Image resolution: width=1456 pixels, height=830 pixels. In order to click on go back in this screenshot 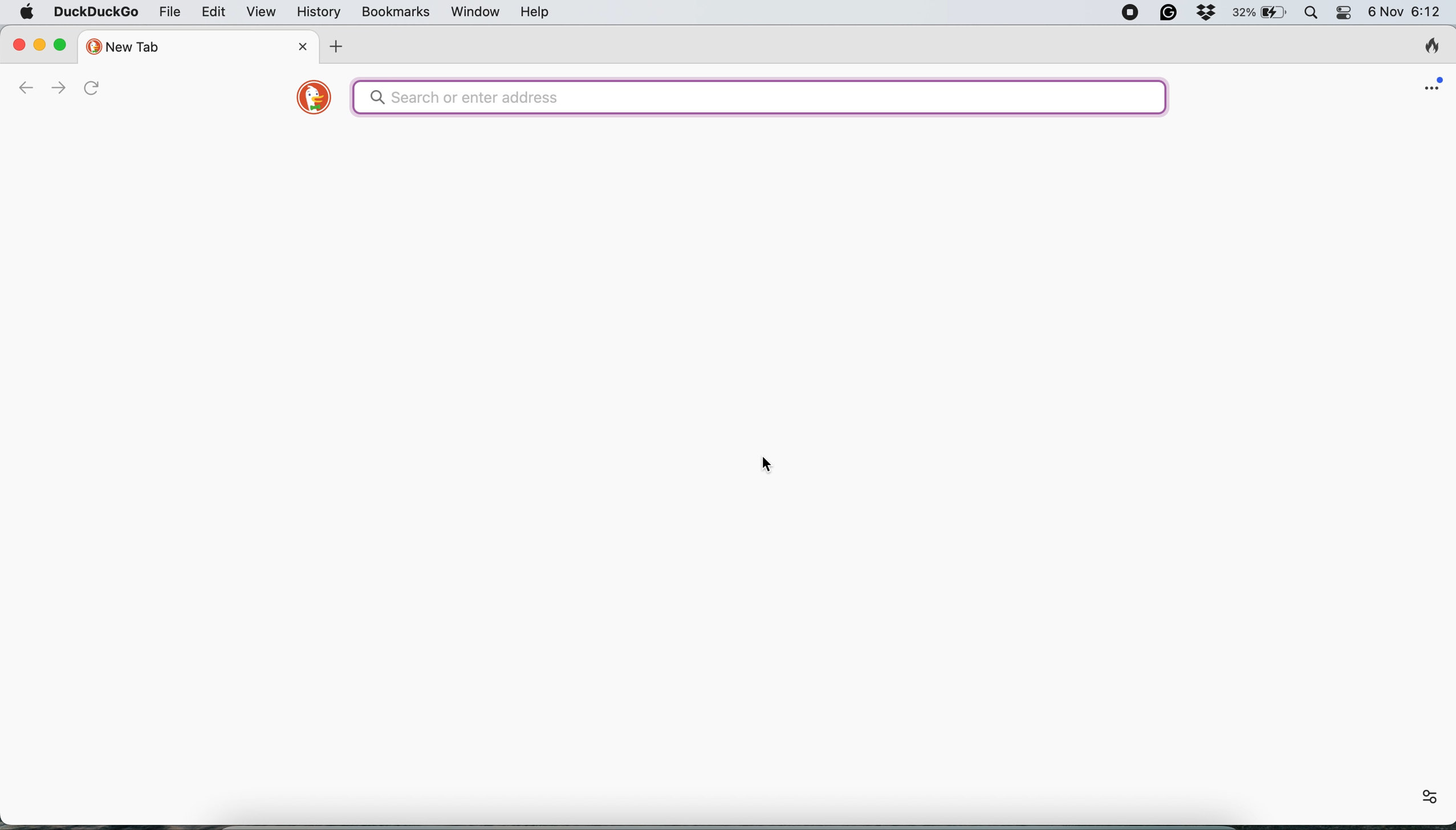, I will do `click(25, 89)`.